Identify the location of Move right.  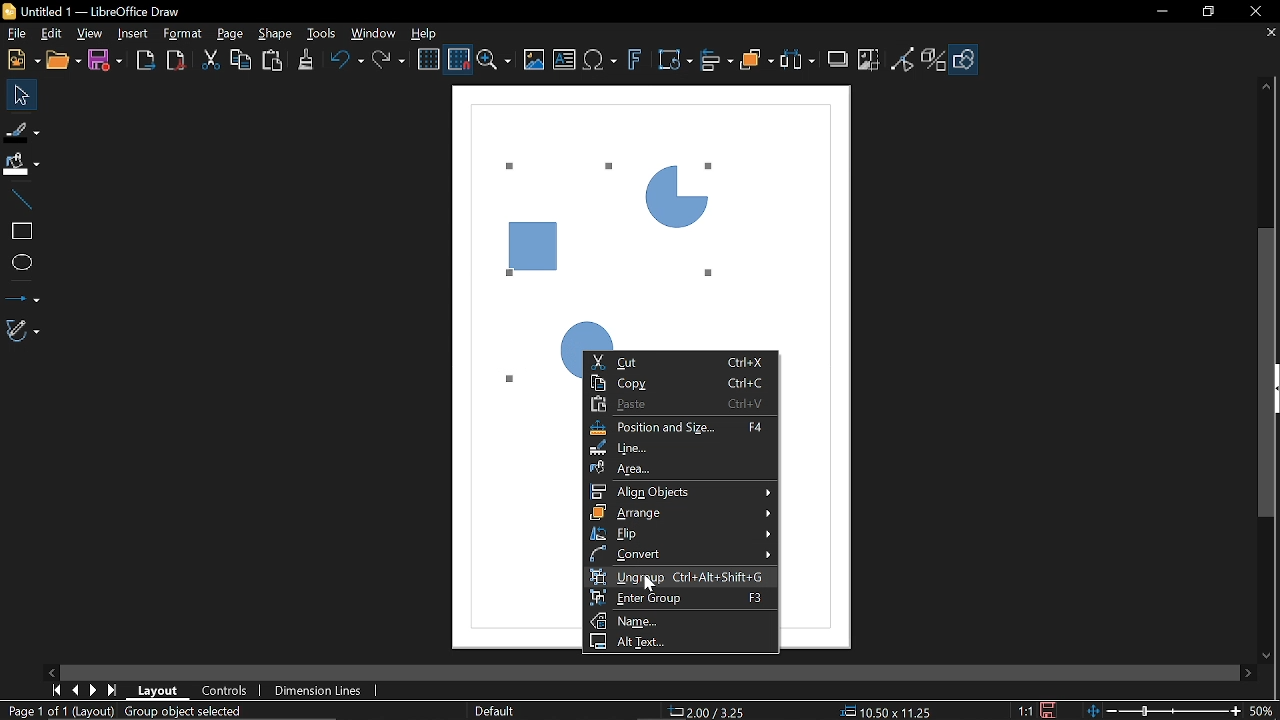
(1248, 673).